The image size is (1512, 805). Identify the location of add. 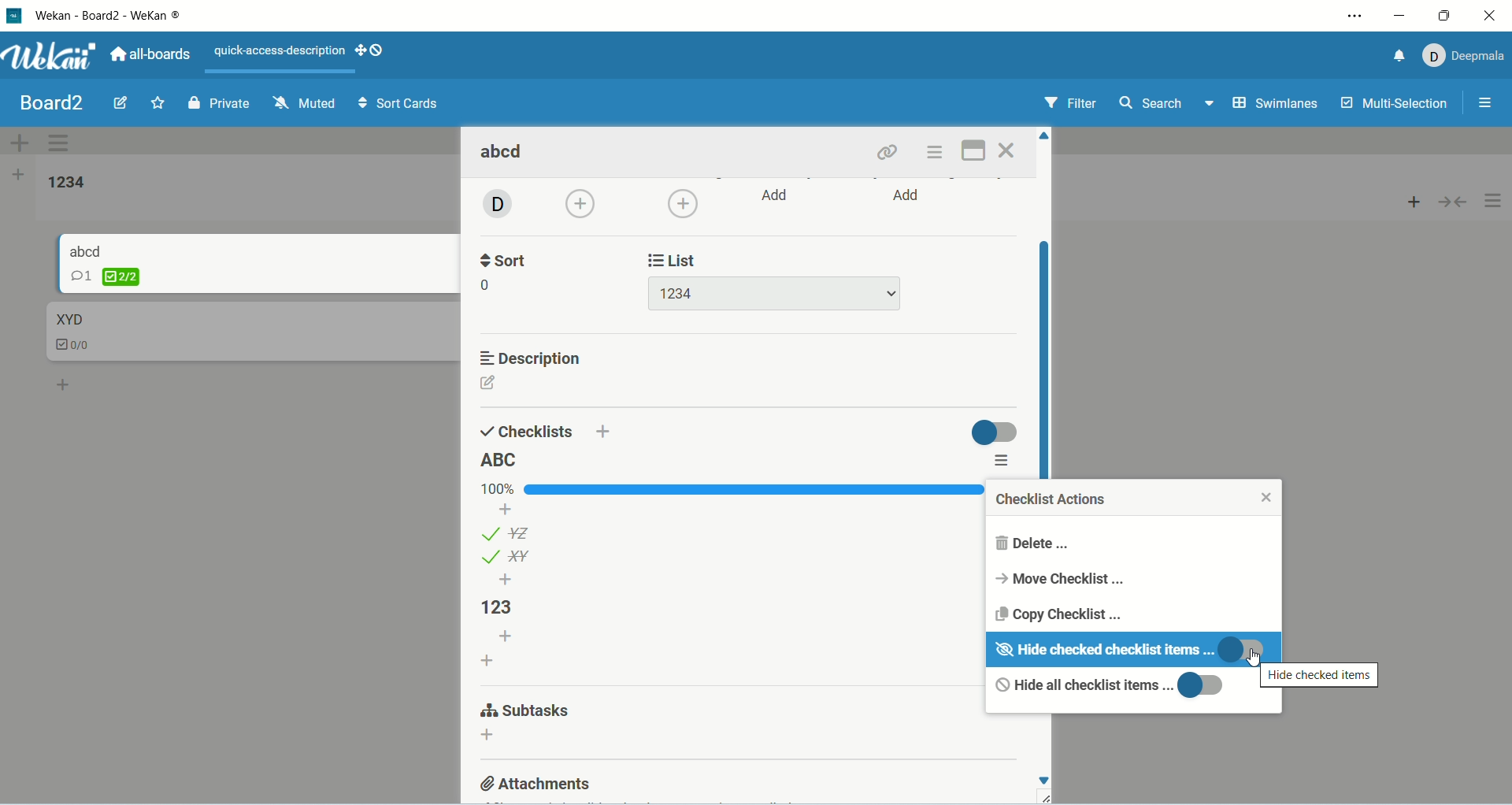
(604, 430).